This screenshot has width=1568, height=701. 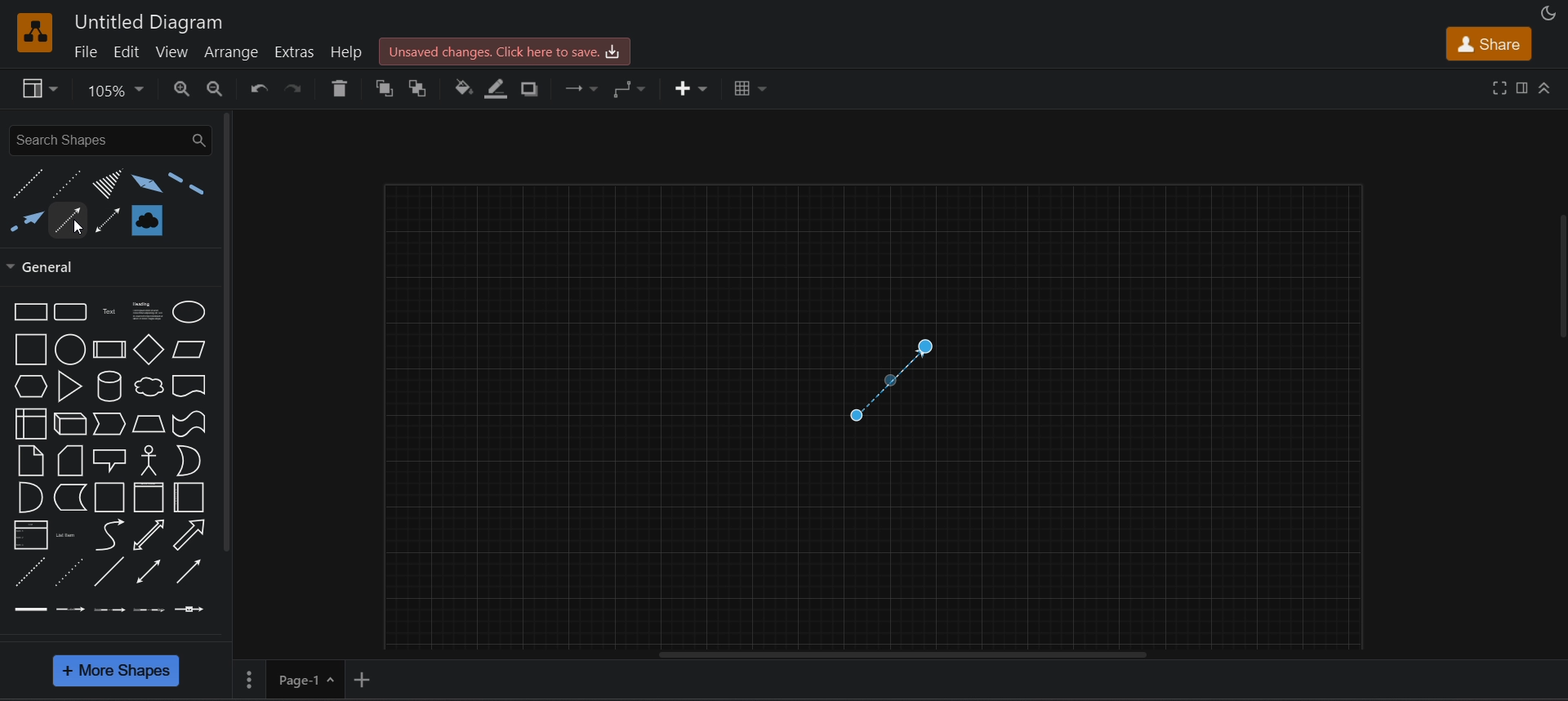 I want to click on link, so click(x=28, y=609).